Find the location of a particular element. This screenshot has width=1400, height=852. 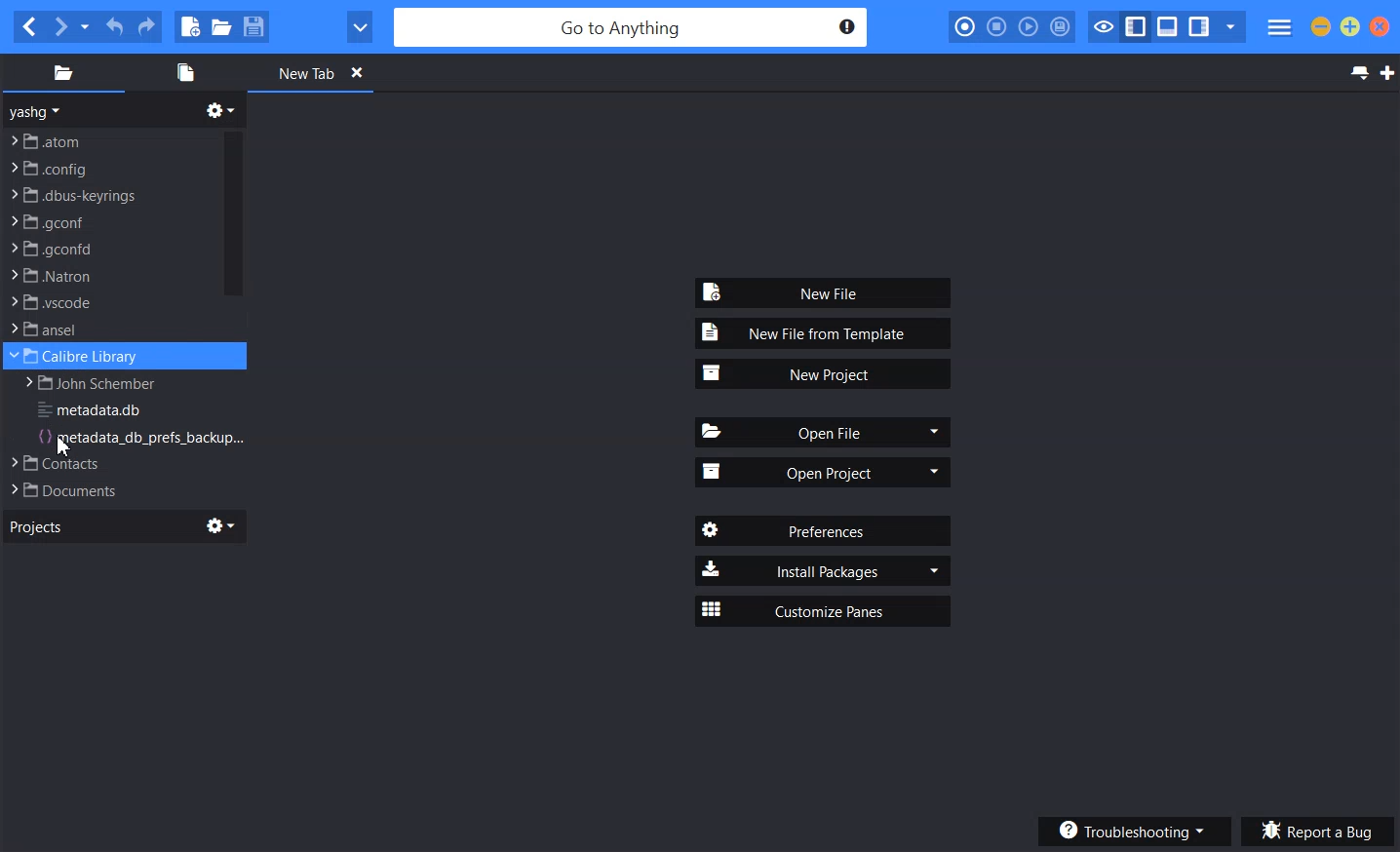

Open Project is located at coordinates (824, 471).